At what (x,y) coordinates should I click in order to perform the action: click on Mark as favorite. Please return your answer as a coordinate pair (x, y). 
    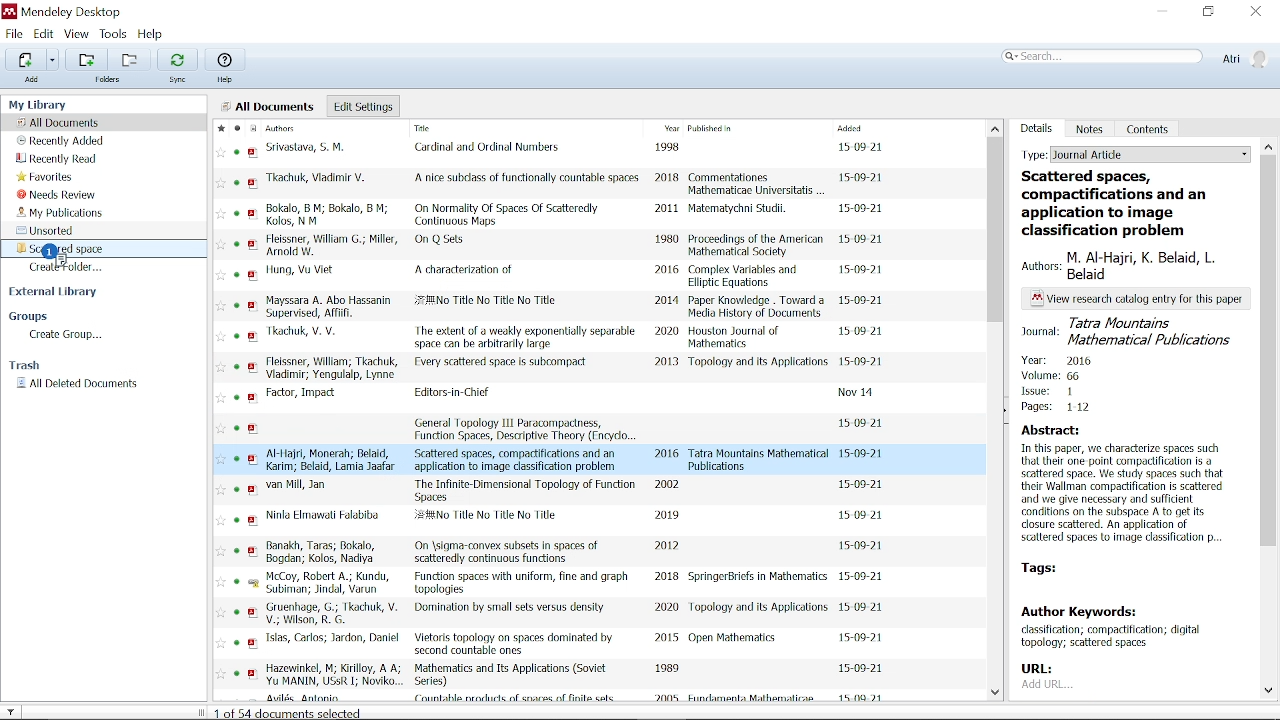
    Looking at the image, I should click on (219, 128).